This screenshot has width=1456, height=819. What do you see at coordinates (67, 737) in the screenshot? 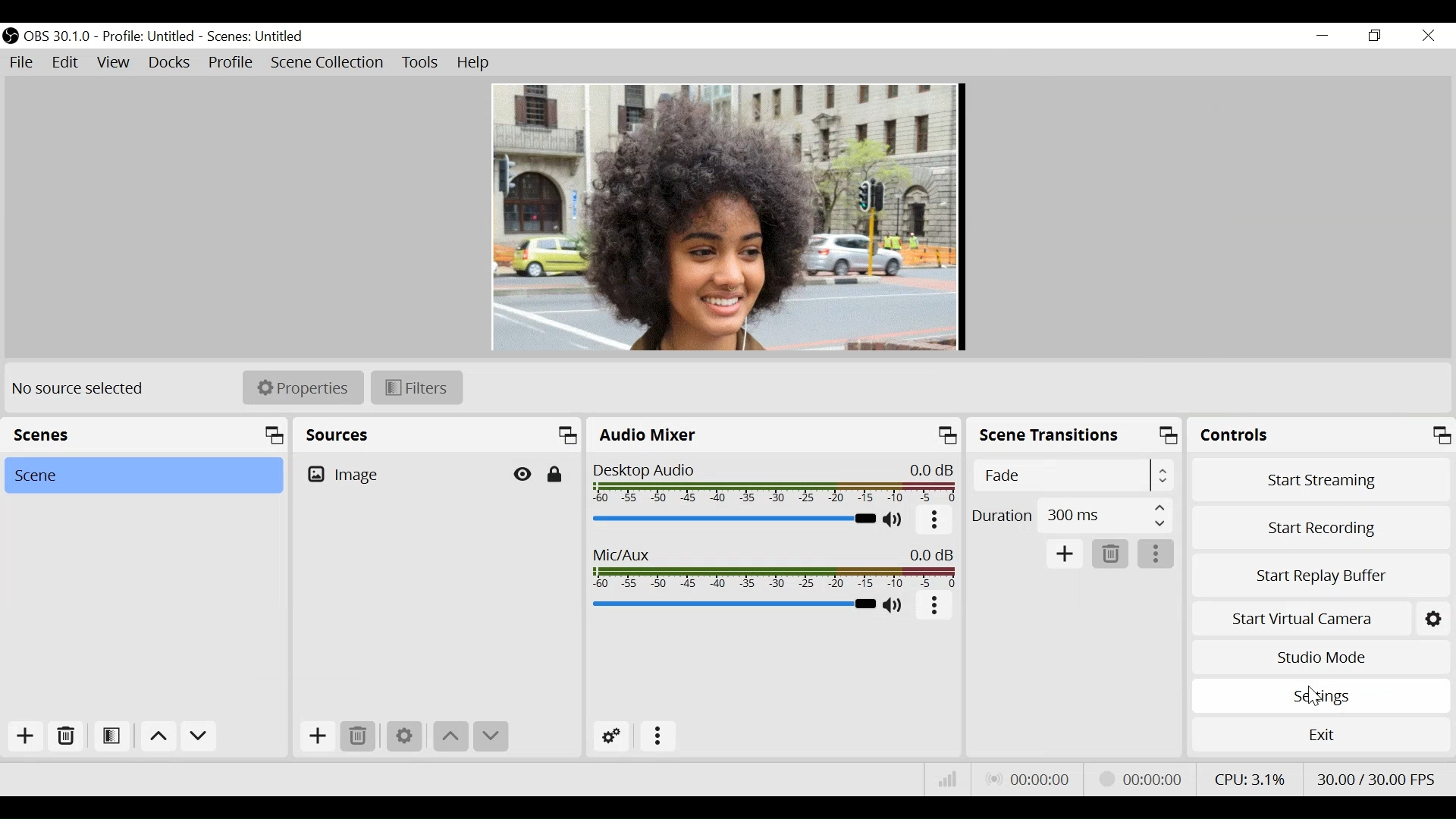
I see `Delete` at bounding box center [67, 737].